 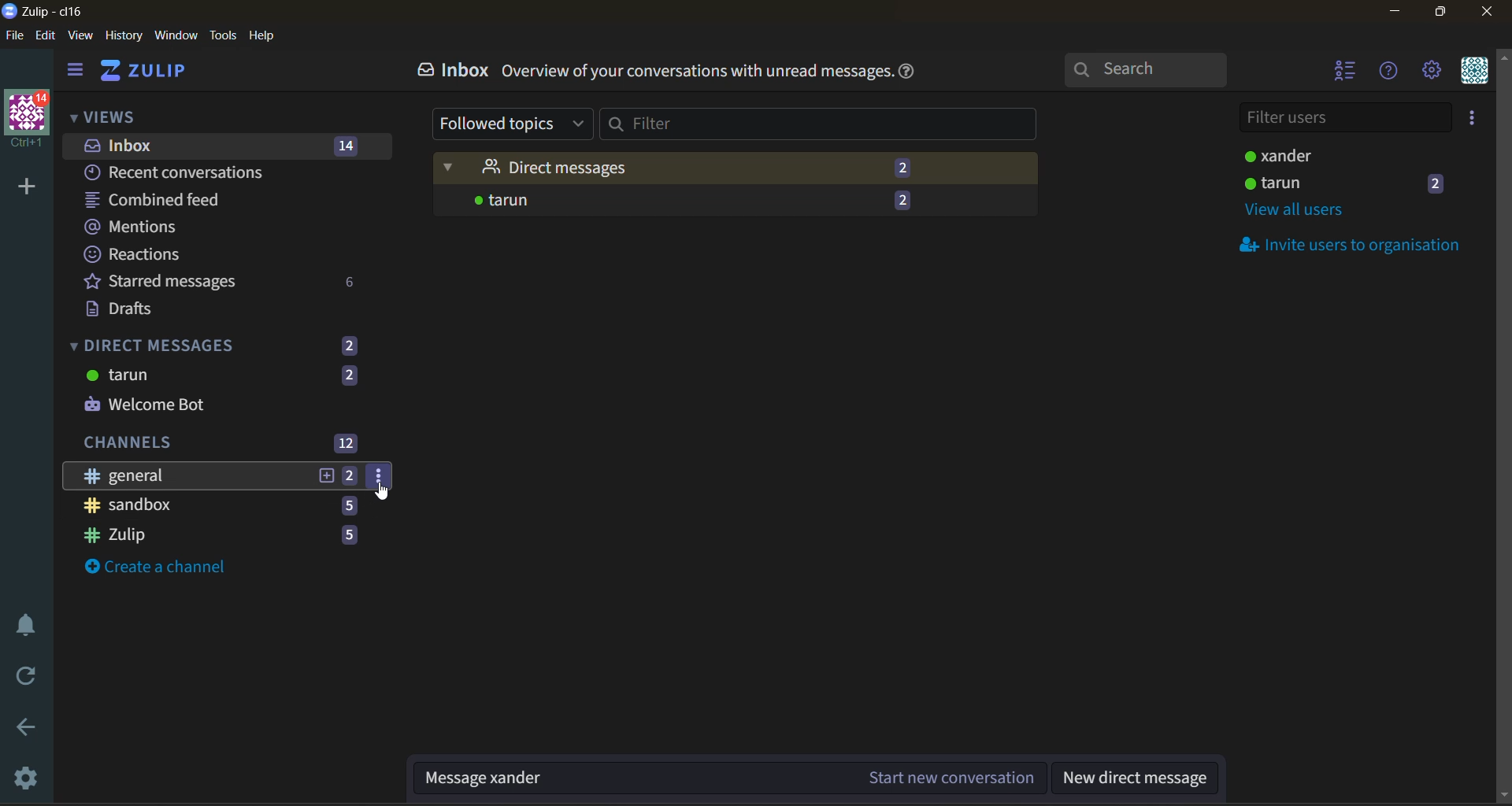 I want to click on show left side bar, so click(x=72, y=72).